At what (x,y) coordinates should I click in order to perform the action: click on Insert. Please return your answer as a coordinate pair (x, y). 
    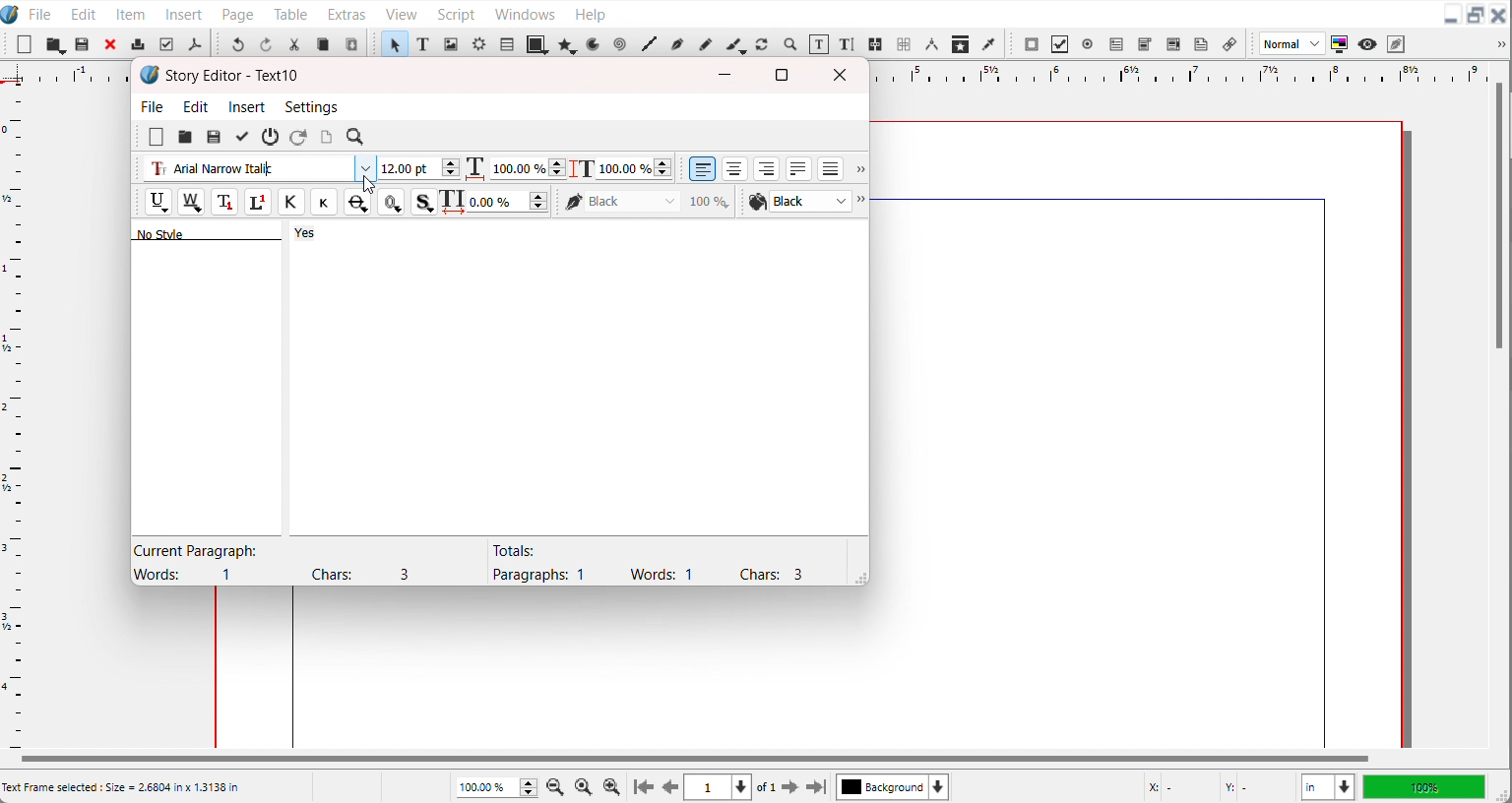
    Looking at the image, I should click on (248, 106).